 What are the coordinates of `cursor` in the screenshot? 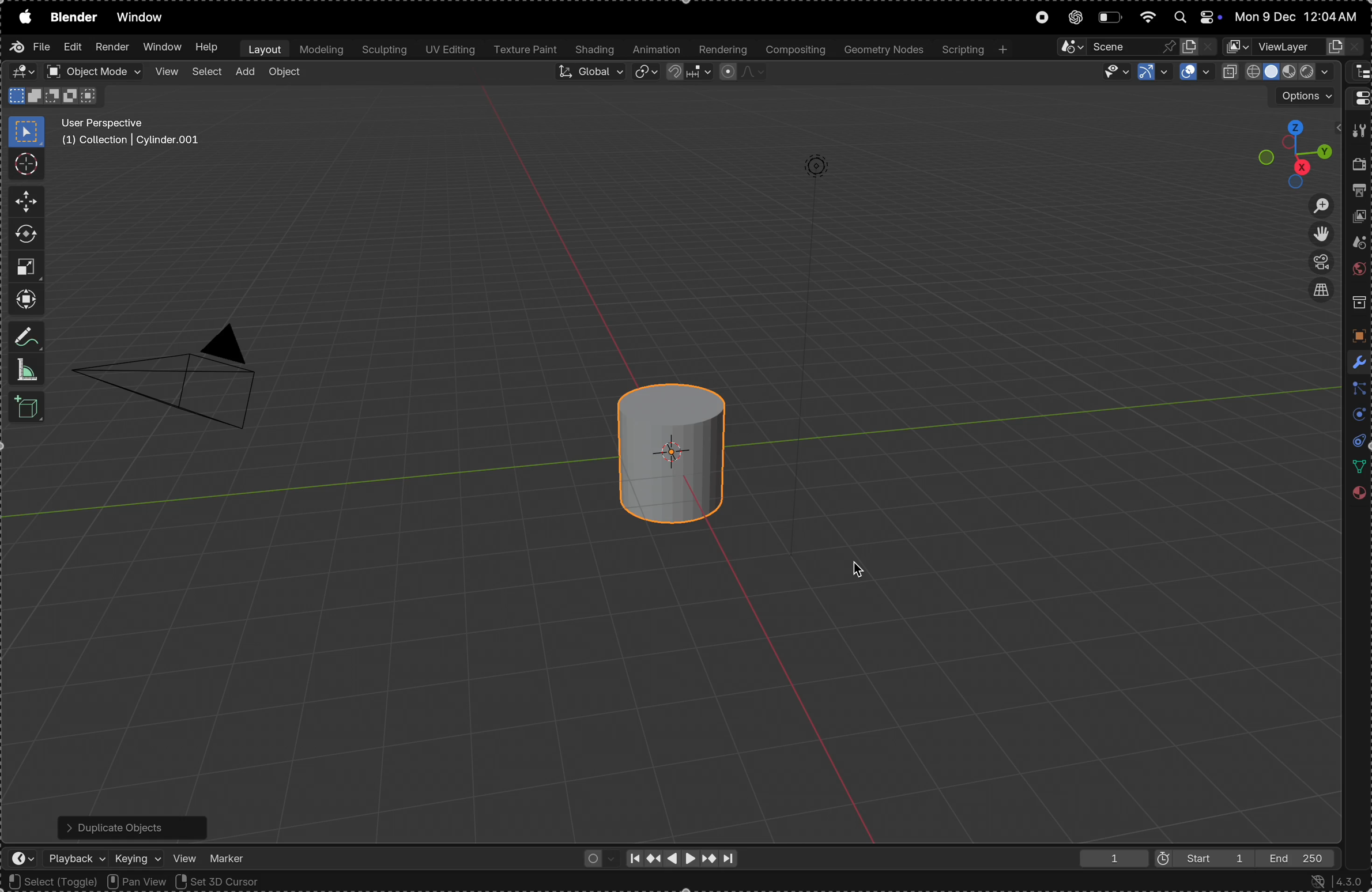 It's located at (25, 163).